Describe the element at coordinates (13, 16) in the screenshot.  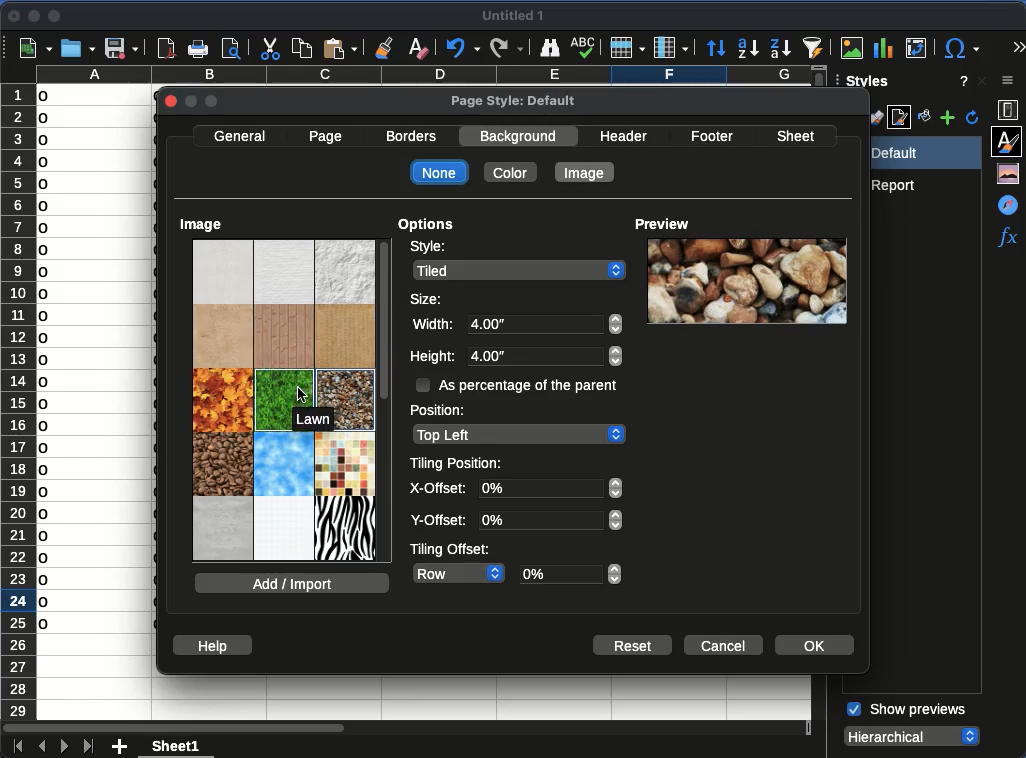
I see `close` at that location.